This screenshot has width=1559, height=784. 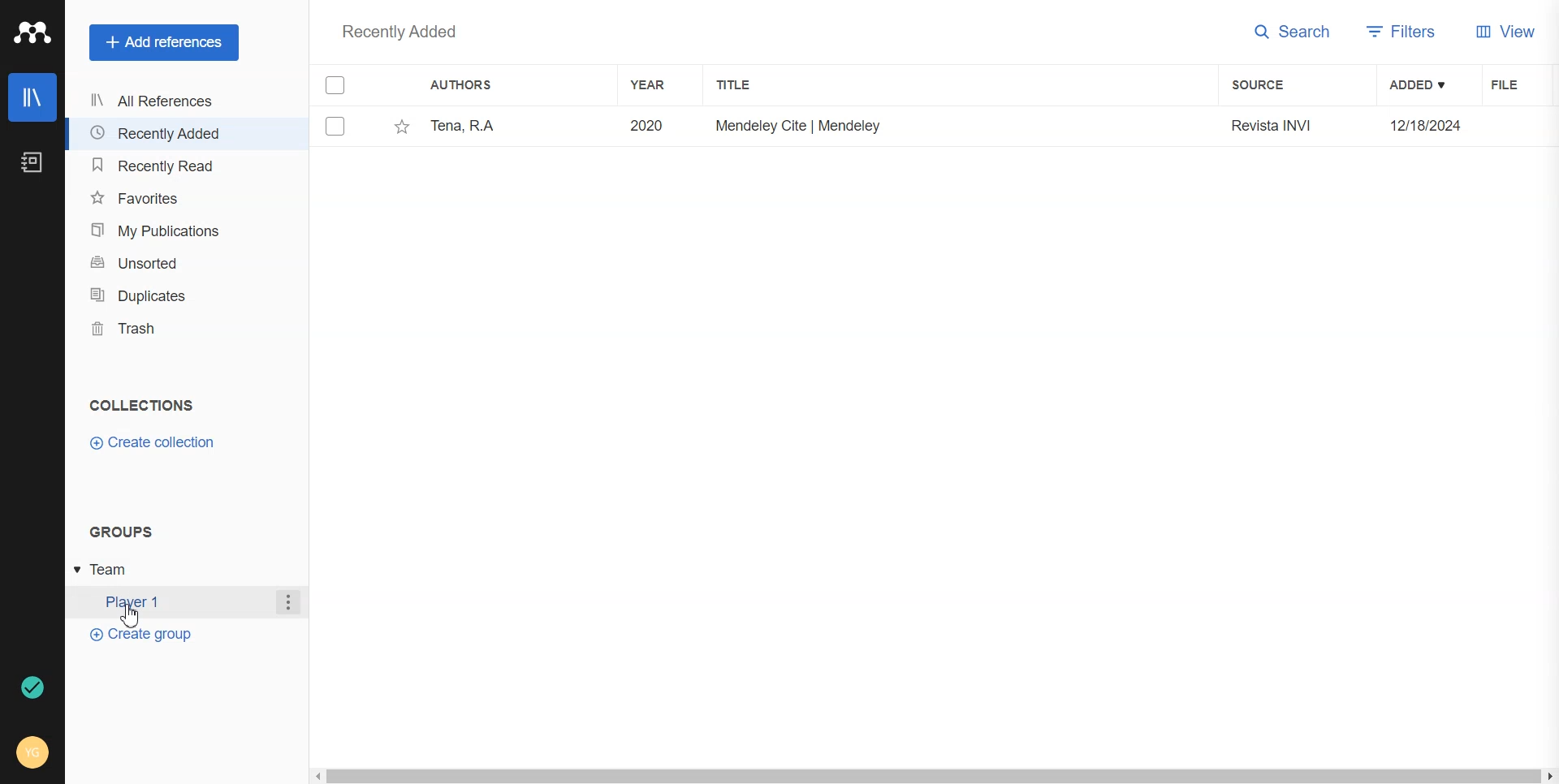 What do you see at coordinates (166, 43) in the screenshot?
I see `Add references` at bounding box center [166, 43].